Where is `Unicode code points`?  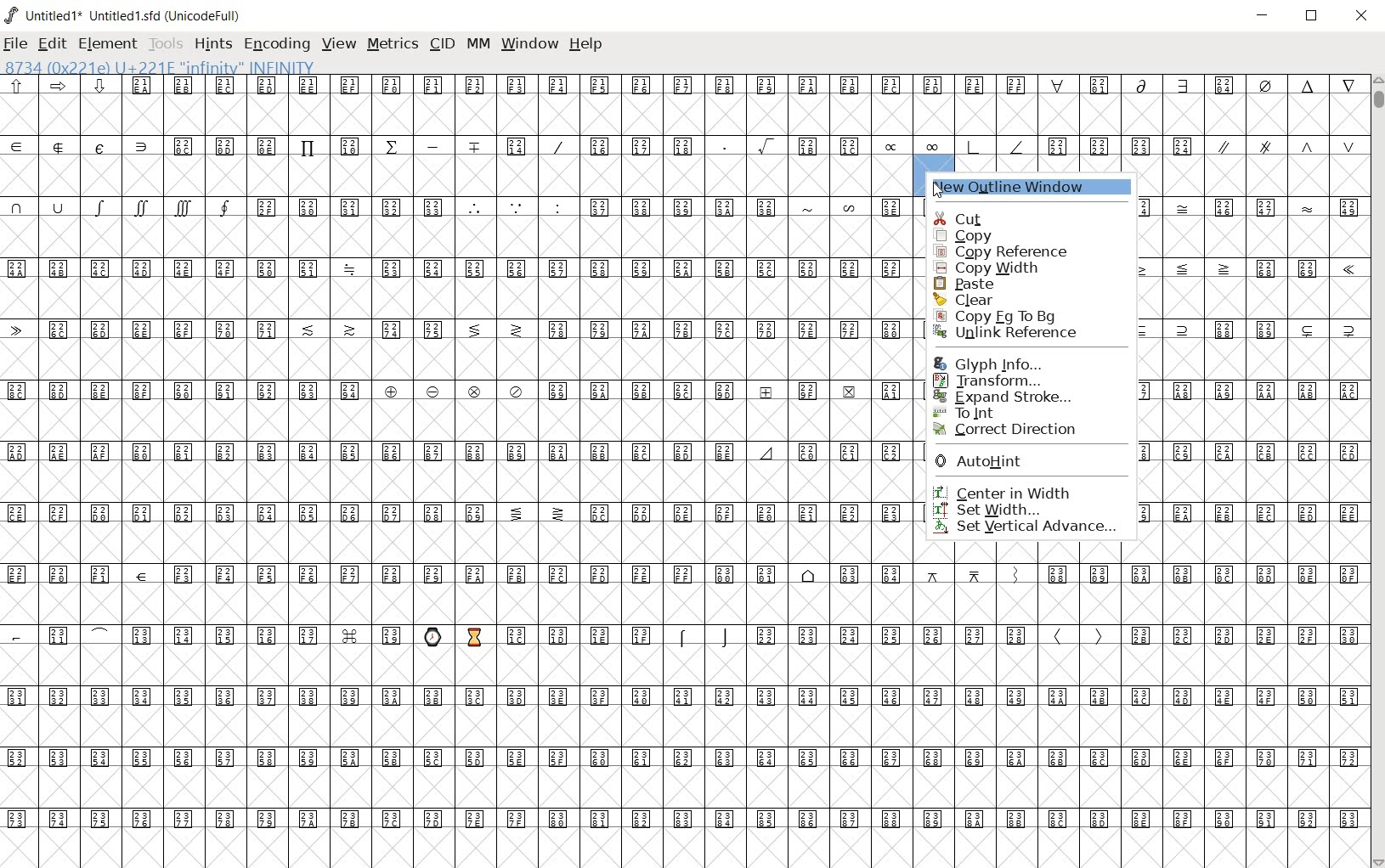
Unicode code points is located at coordinates (896, 635).